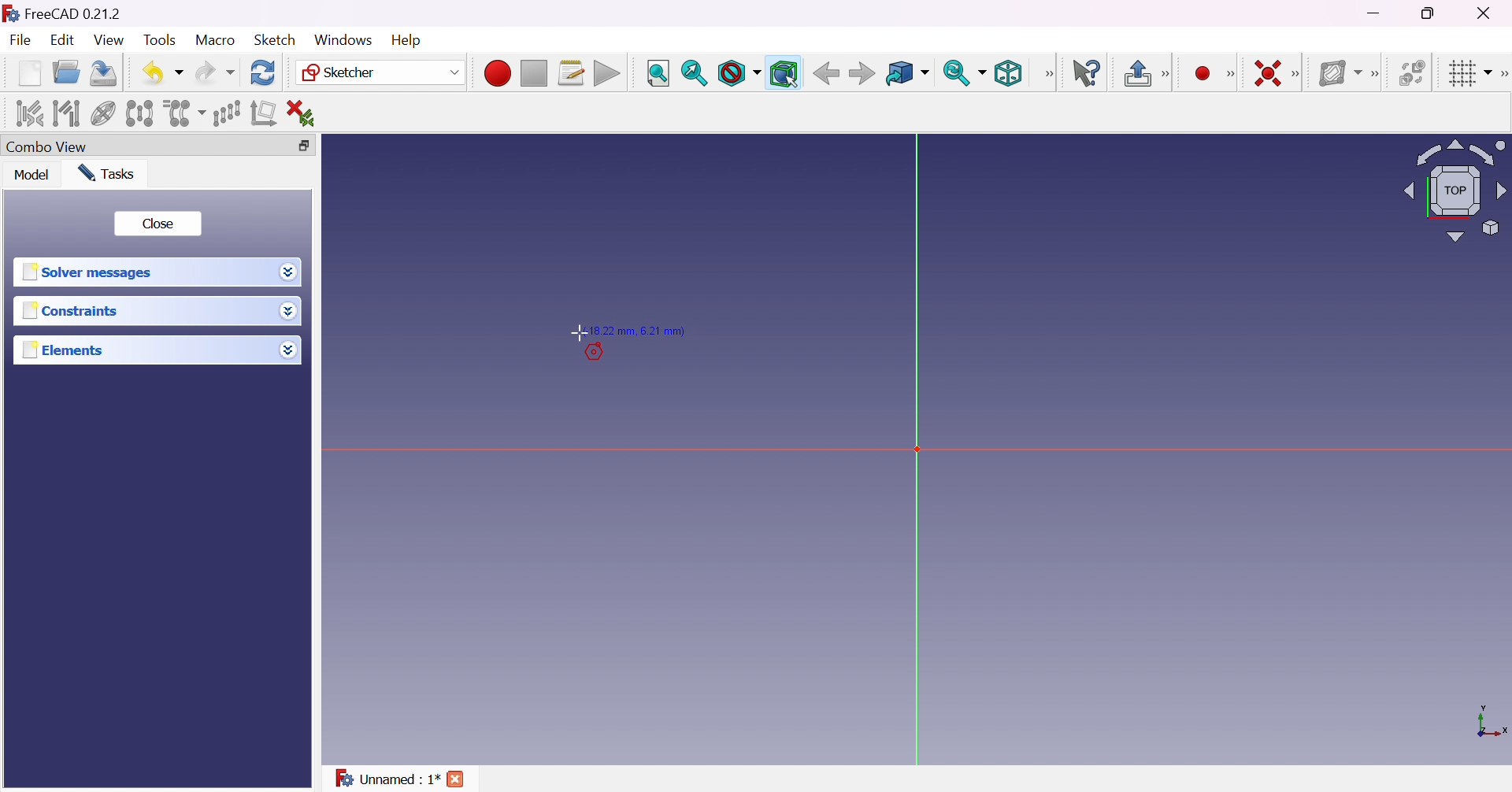 The height and width of the screenshot is (792, 1512). I want to click on Clone, so click(183, 112).